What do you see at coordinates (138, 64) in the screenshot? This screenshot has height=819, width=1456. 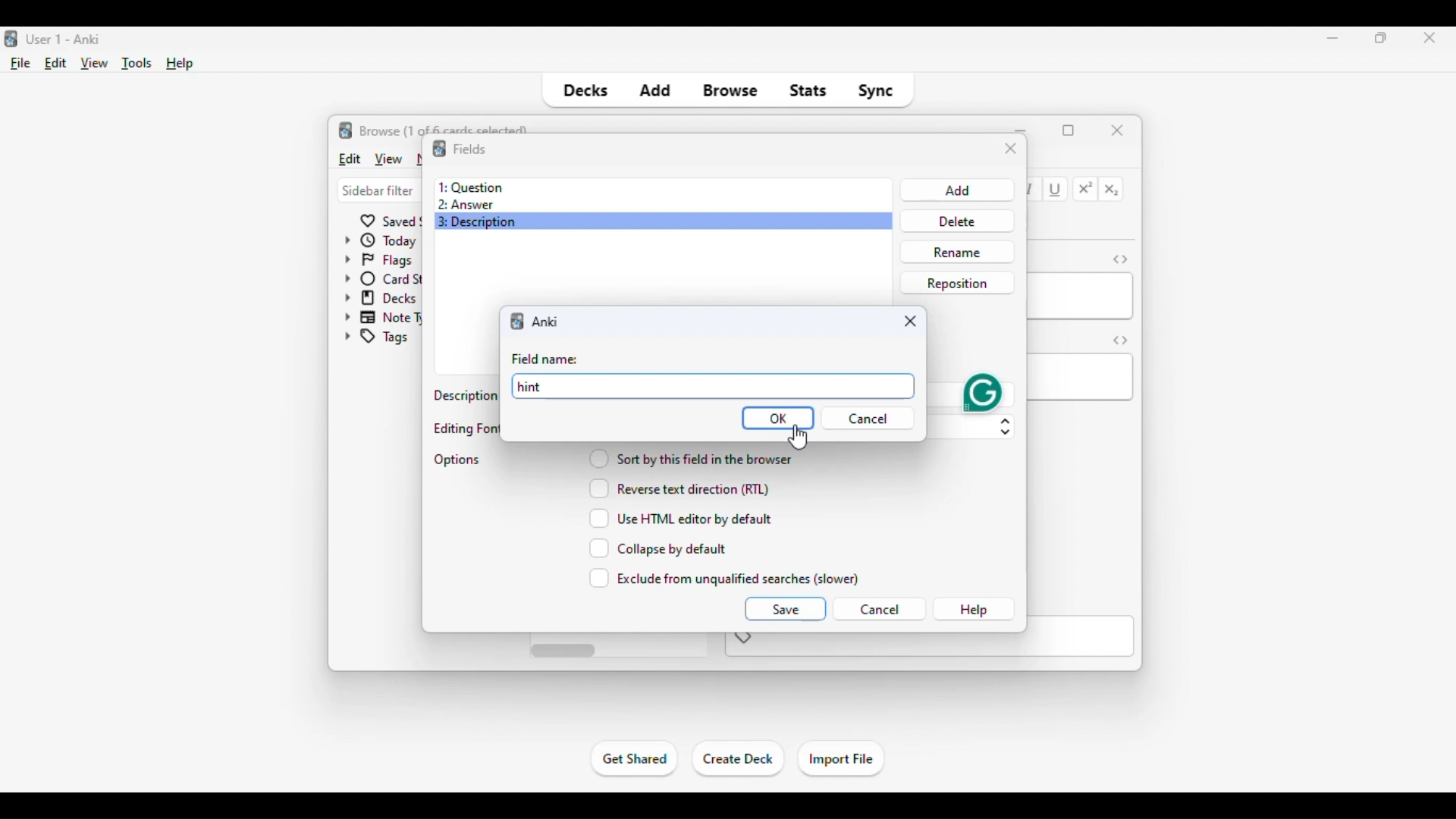 I see `tools` at bounding box center [138, 64].